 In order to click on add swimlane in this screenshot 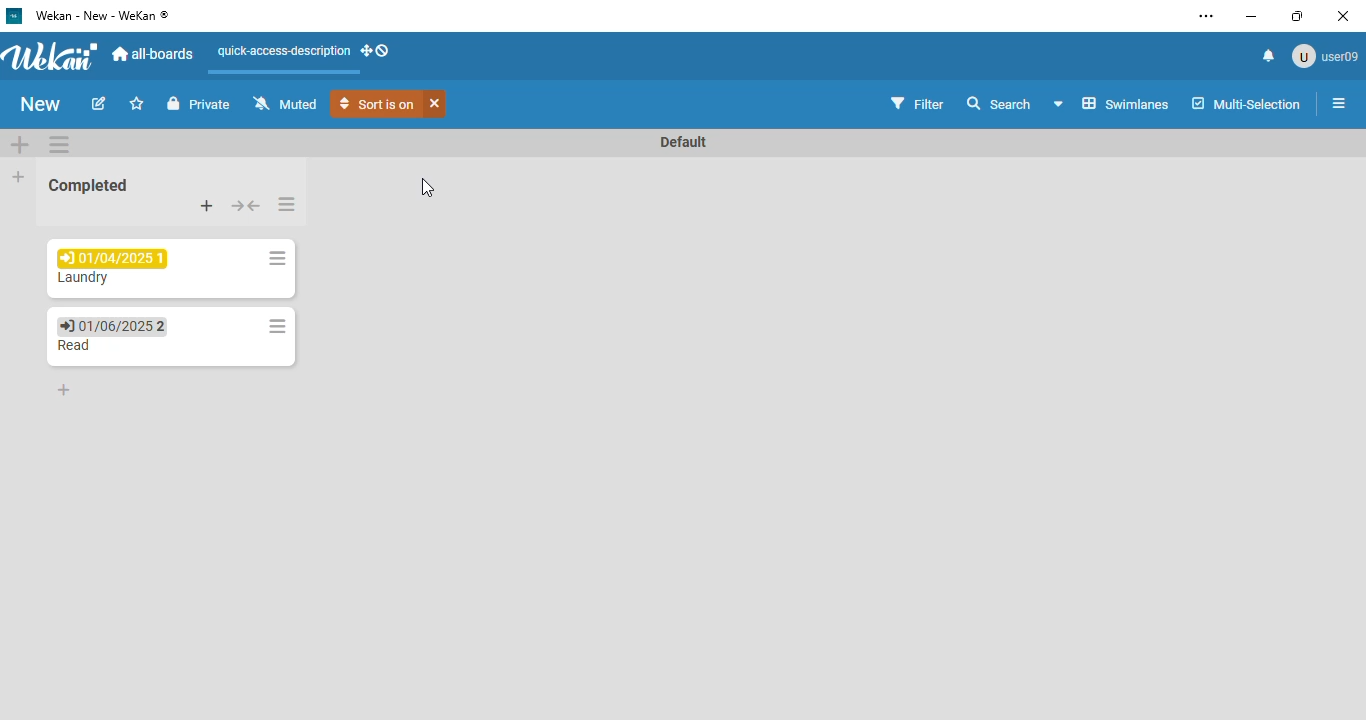, I will do `click(20, 143)`.